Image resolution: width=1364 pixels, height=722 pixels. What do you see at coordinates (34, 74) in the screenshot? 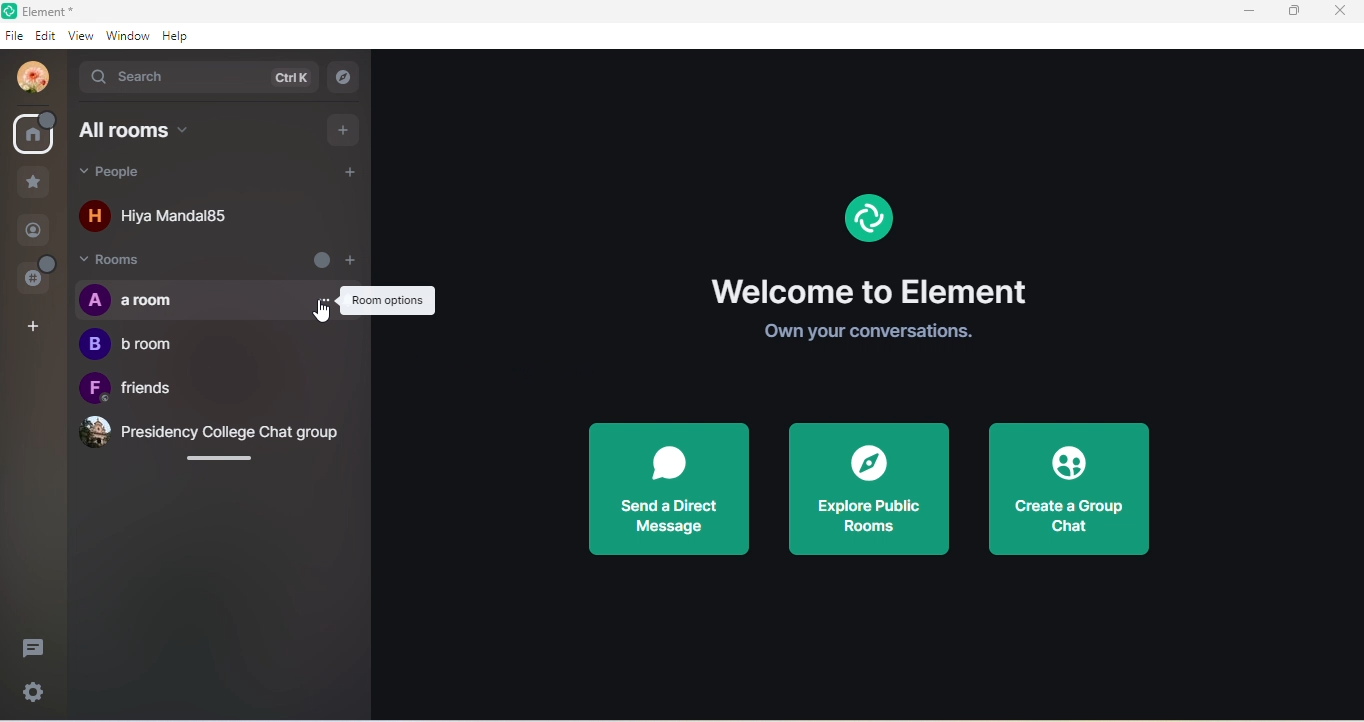
I see `profile photo` at bounding box center [34, 74].